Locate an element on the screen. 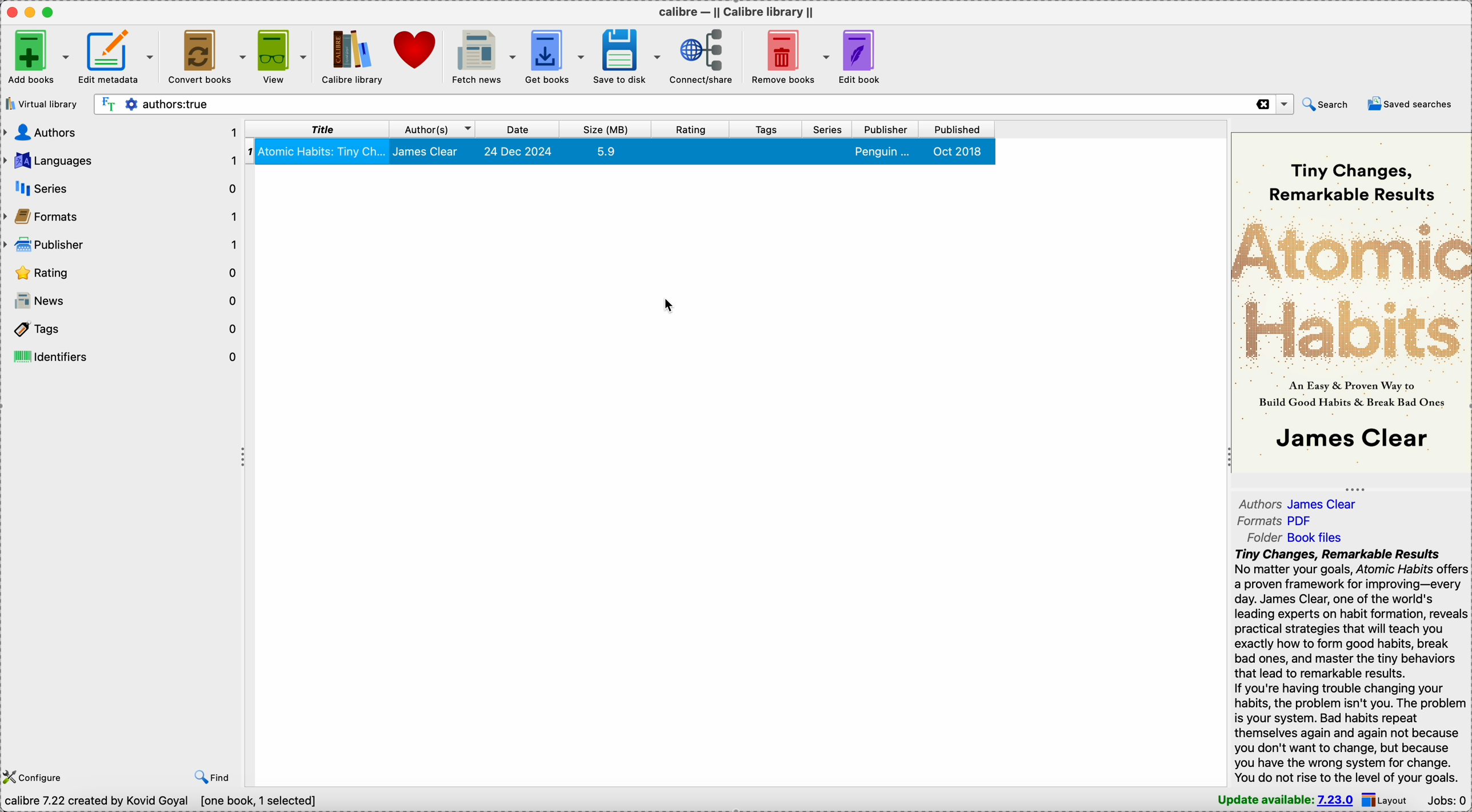 This screenshot has height=812, width=1472. find is located at coordinates (213, 777).